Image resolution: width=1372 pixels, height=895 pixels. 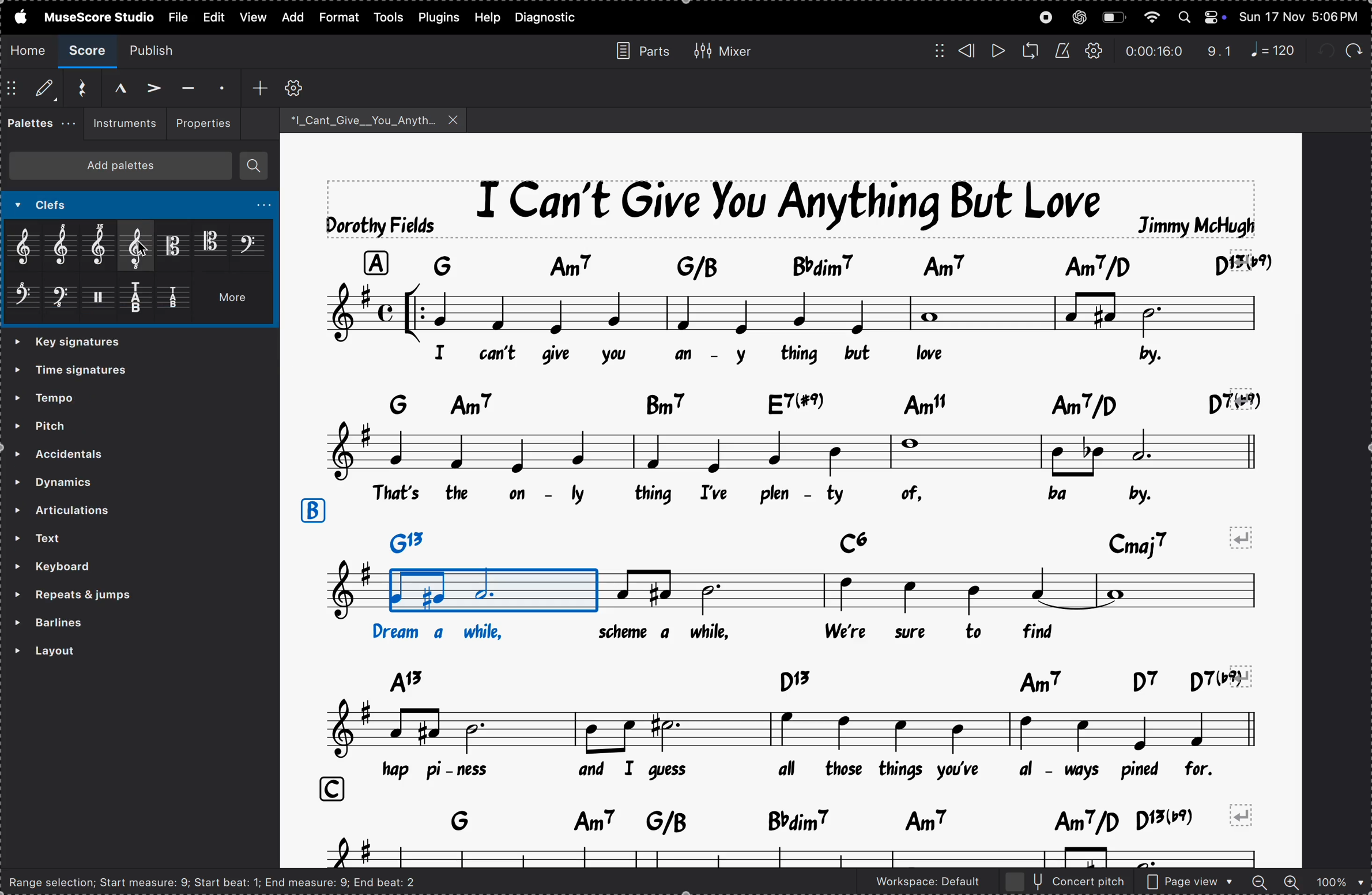 What do you see at coordinates (29, 50) in the screenshot?
I see `home` at bounding box center [29, 50].